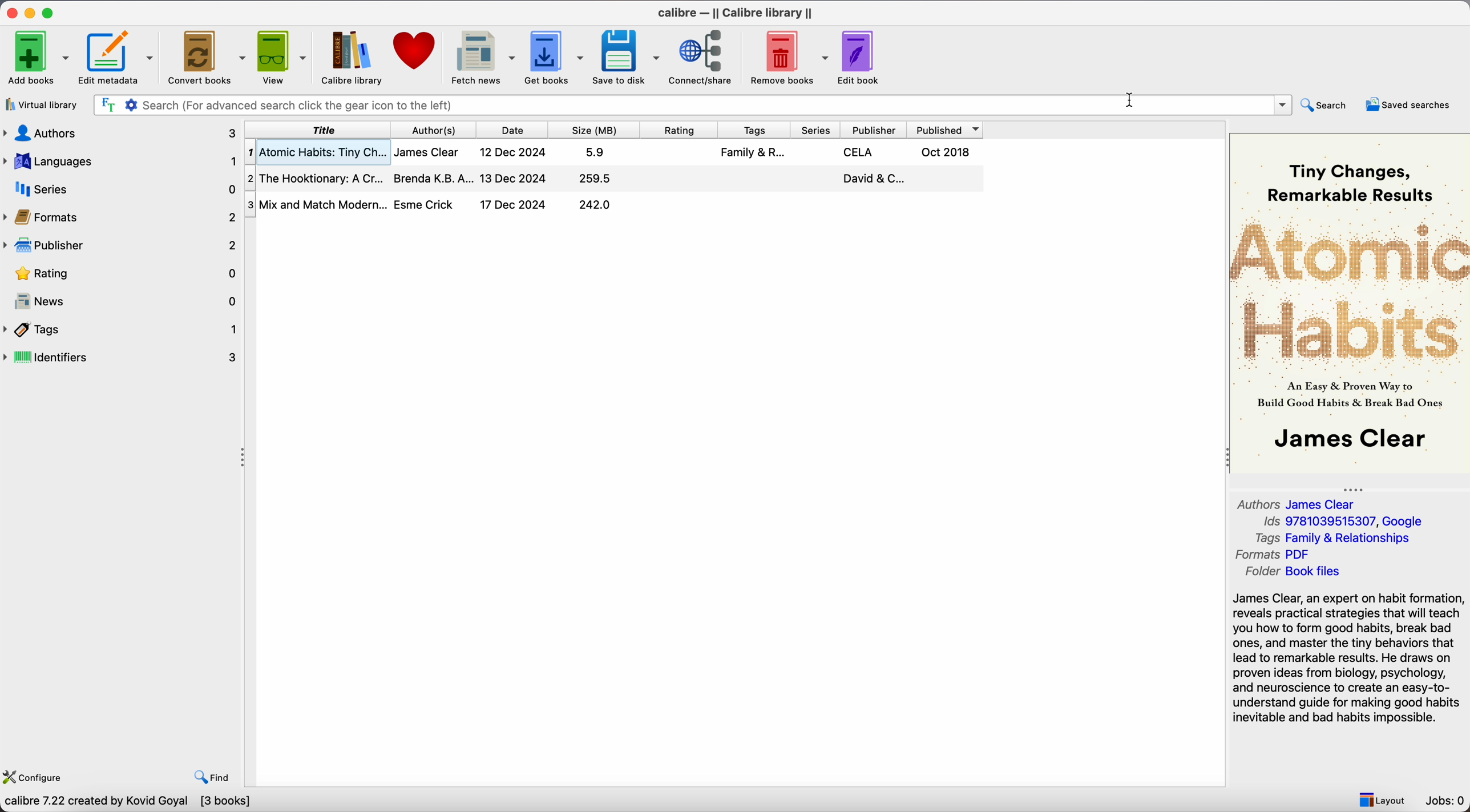 The image size is (1470, 812). What do you see at coordinates (123, 302) in the screenshot?
I see `news` at bounding box center [123, 302].